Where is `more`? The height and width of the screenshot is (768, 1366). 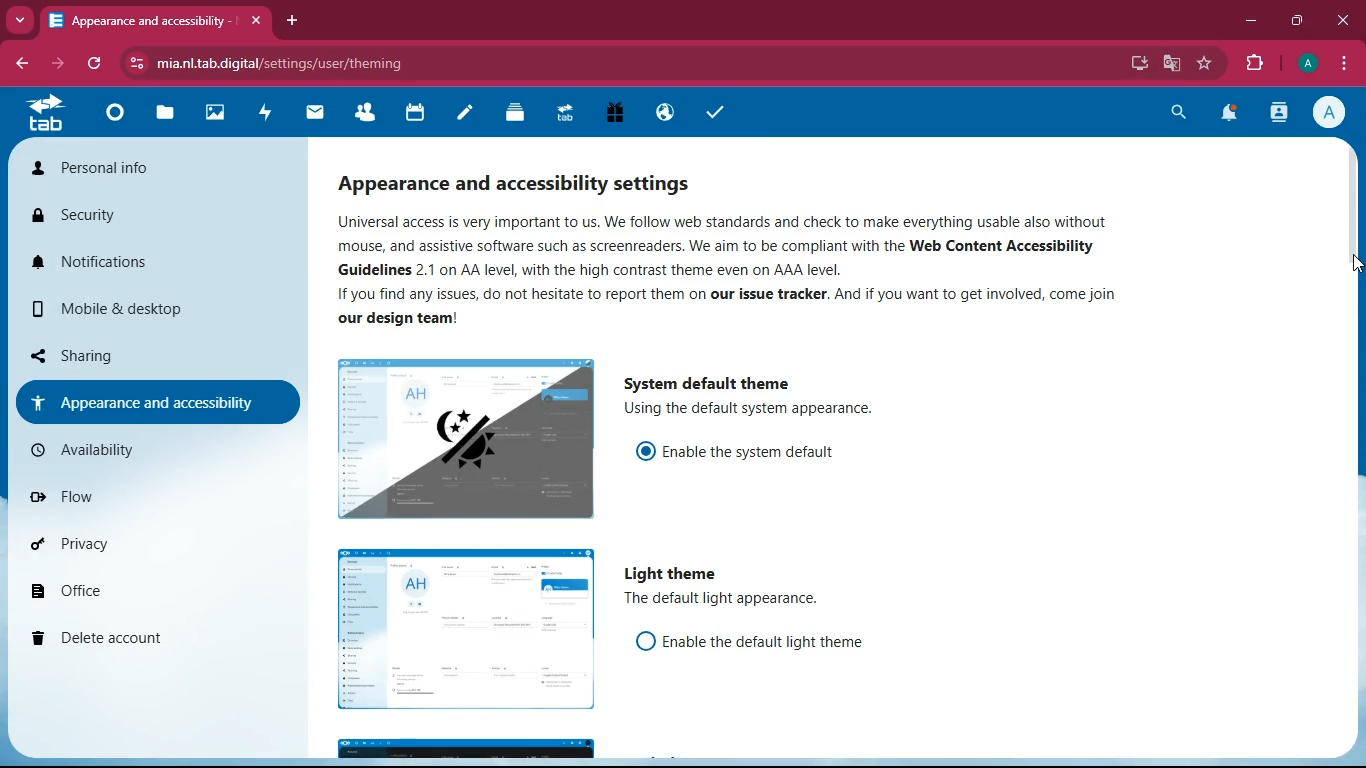 more is located at coordinates (20, 19).